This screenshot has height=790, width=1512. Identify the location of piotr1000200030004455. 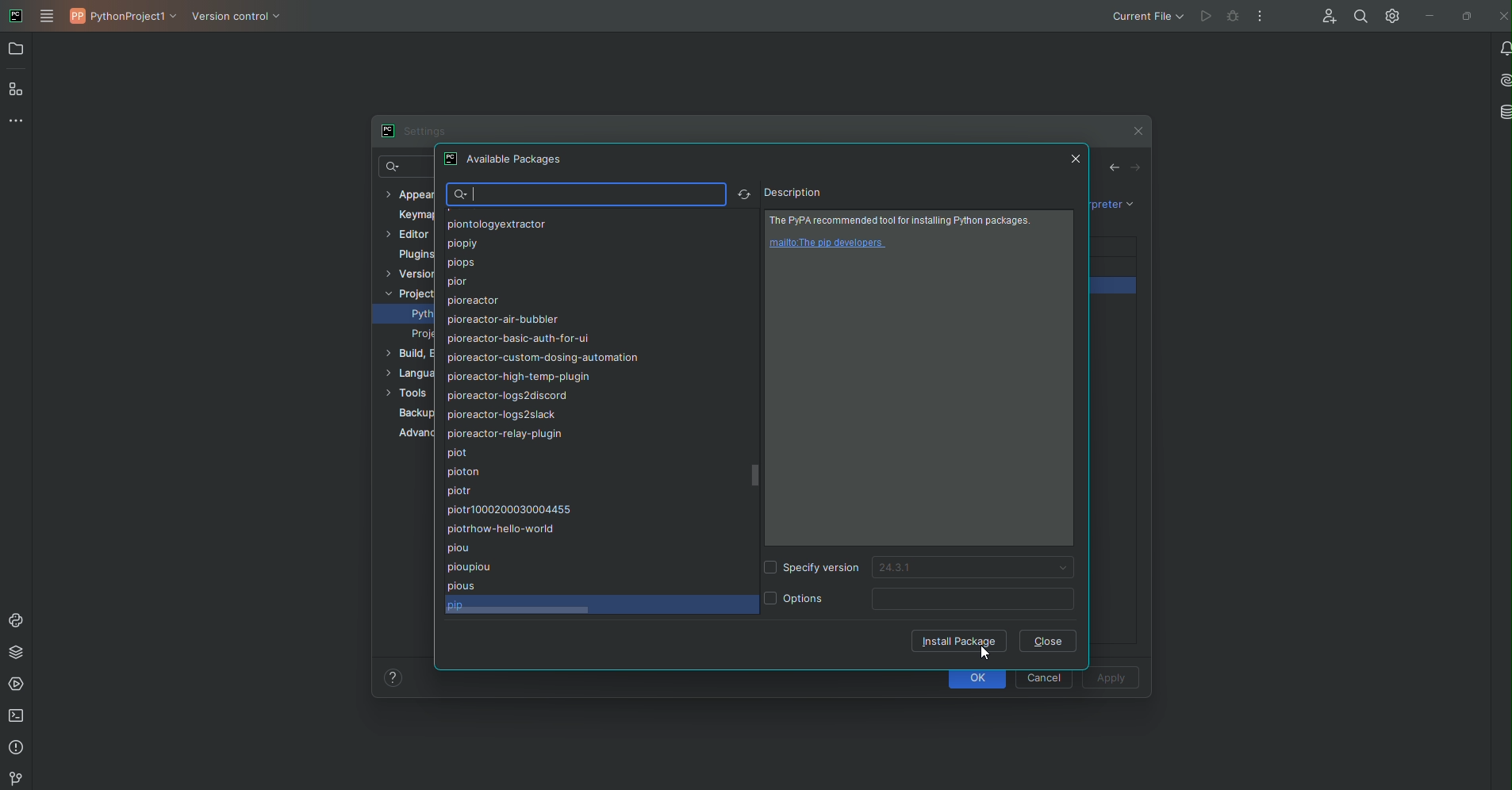
(511, 510).